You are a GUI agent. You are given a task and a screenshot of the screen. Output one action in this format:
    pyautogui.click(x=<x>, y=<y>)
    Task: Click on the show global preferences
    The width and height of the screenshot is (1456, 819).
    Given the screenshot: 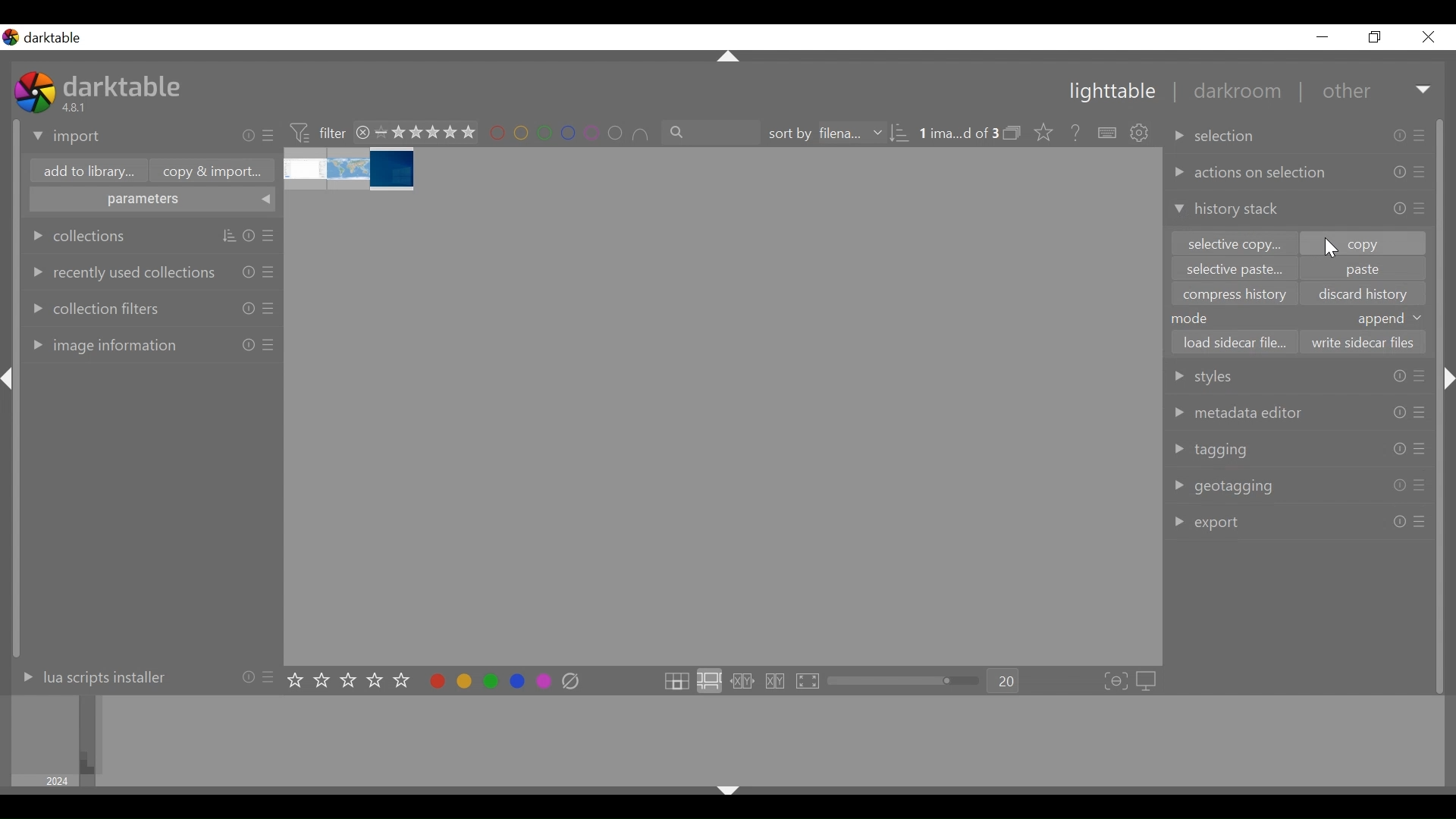 What is the action you would take?
    pyautogui.click(x=1141, y=134)
    